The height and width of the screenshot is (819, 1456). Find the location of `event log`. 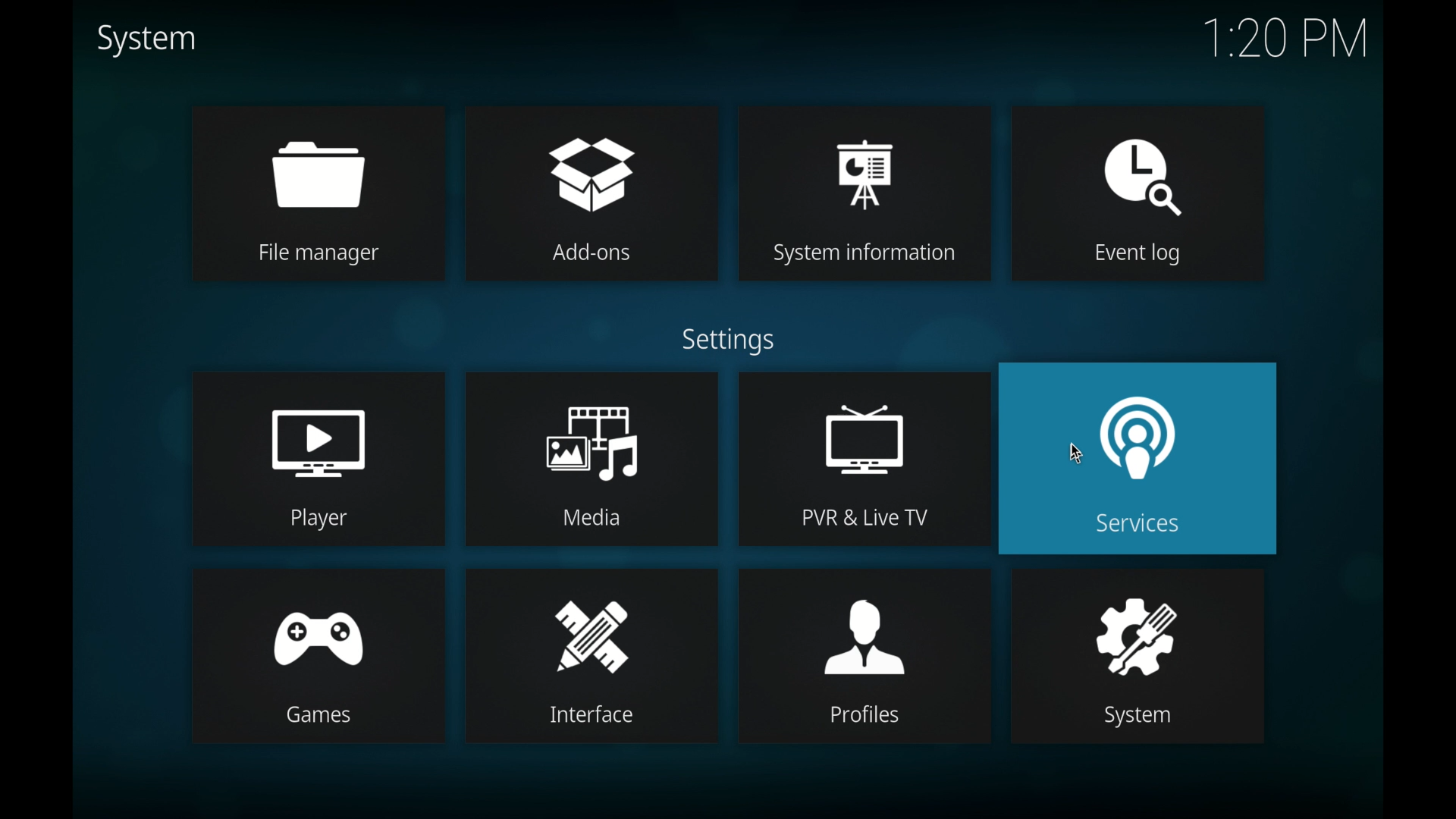

event log is located at coordinates (1136, 193).